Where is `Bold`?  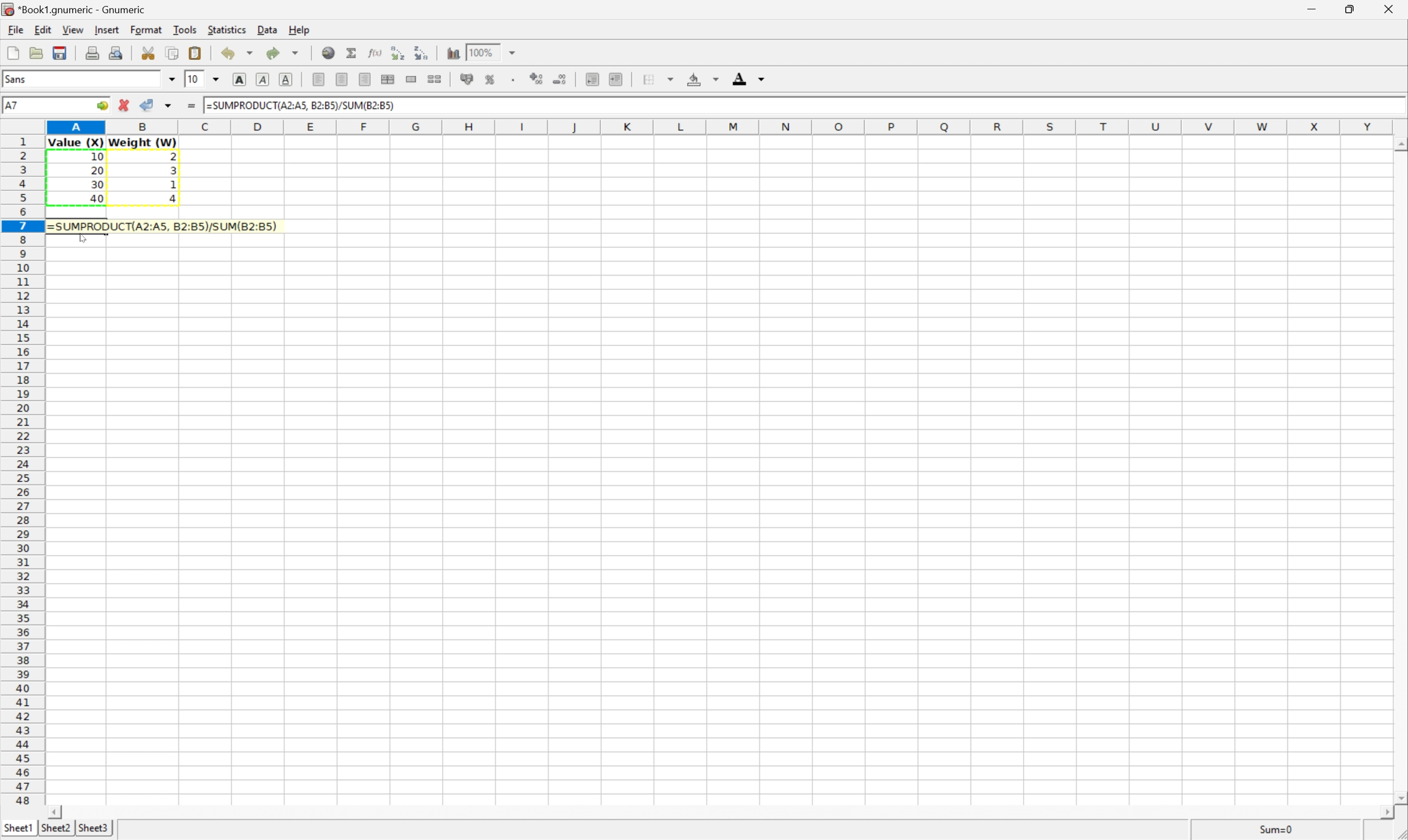 Bold is located at coordinates (241, 79).